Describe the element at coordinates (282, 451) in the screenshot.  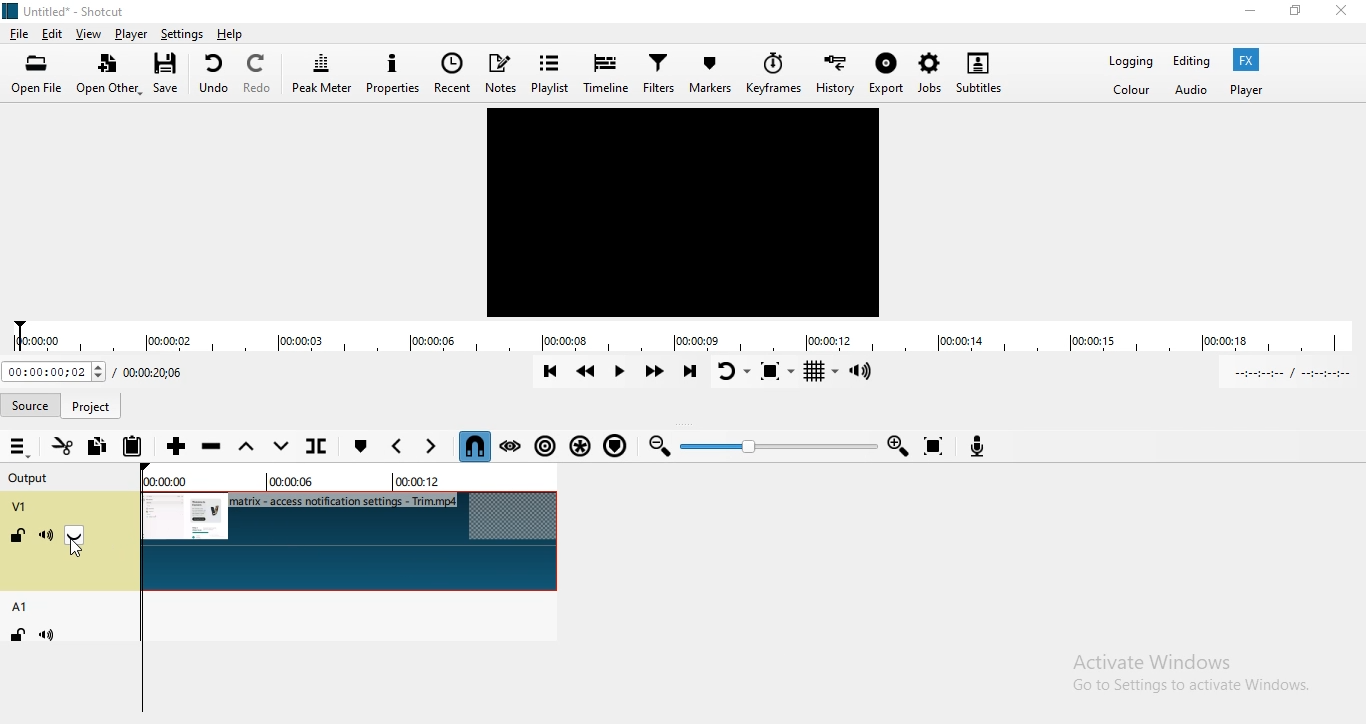
I see `overwrite` at that location.